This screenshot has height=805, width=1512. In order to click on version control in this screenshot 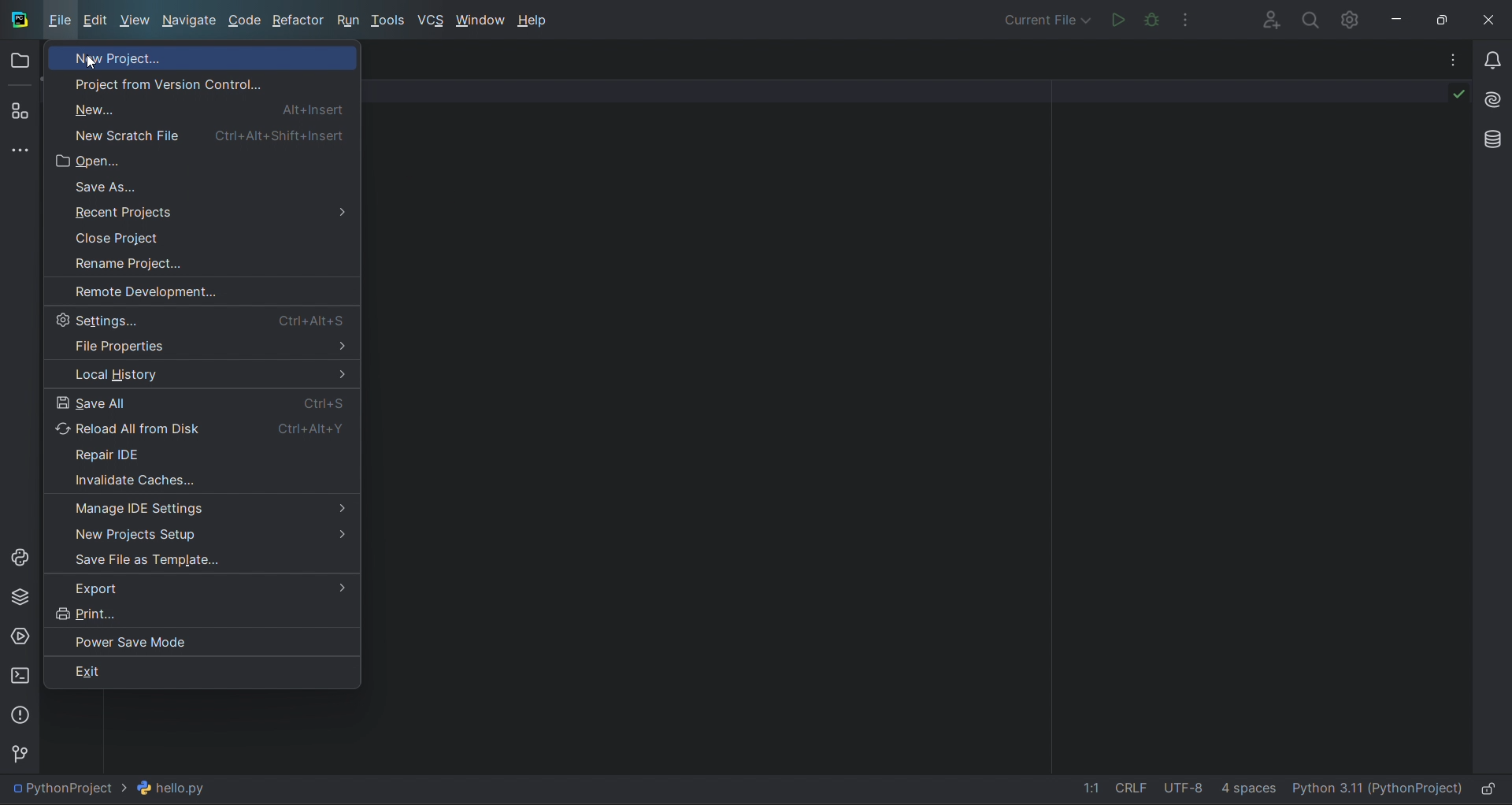, I will do `click(206, 82)`.